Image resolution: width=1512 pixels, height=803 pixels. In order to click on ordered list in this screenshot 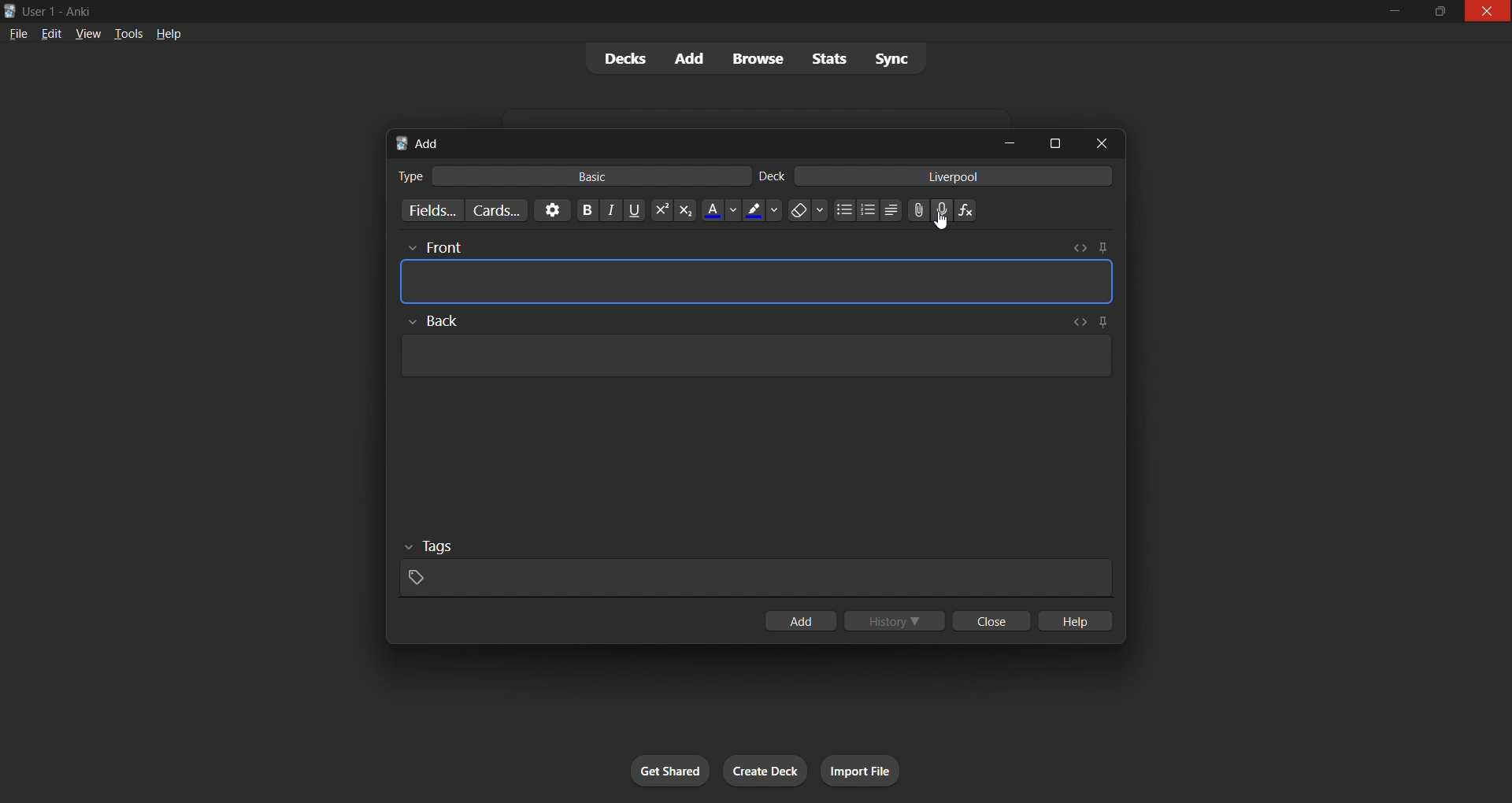, I will do `click(868, 212)`.